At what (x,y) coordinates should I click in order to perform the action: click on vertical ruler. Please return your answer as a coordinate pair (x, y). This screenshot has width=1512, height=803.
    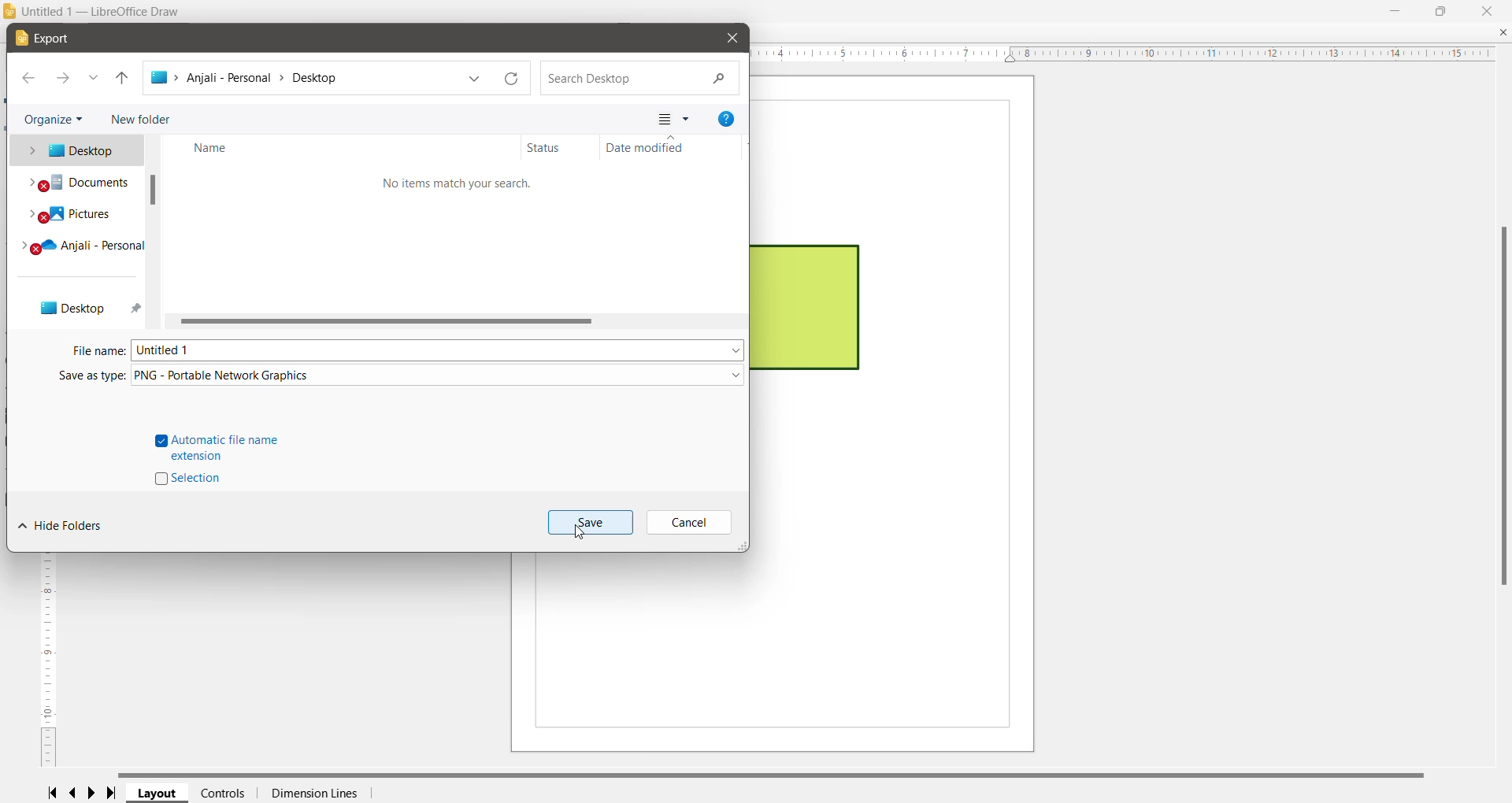
    Looking at the image, I should click on (45, 662).